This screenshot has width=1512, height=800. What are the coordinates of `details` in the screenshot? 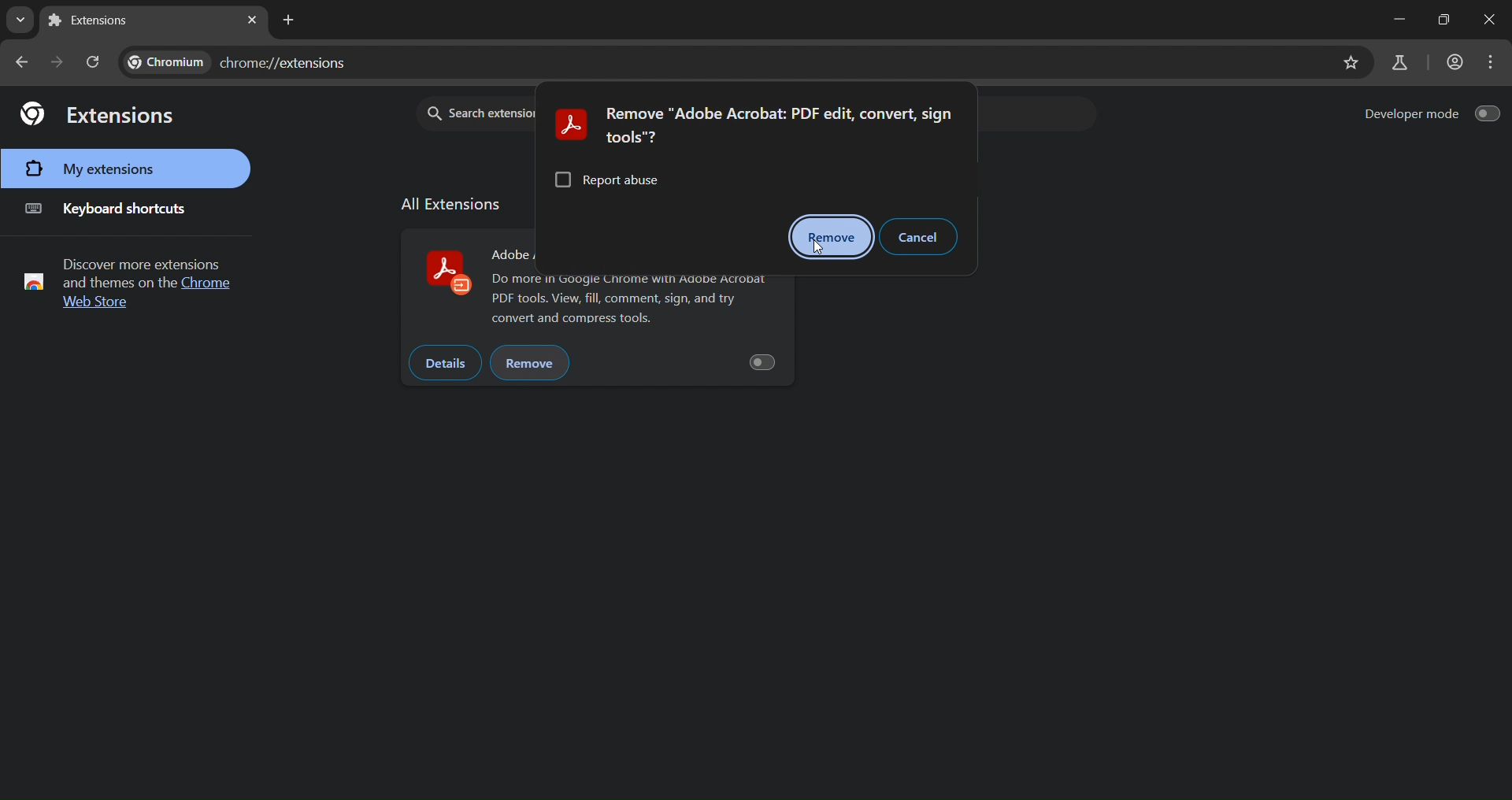 It's located at (443, 362).